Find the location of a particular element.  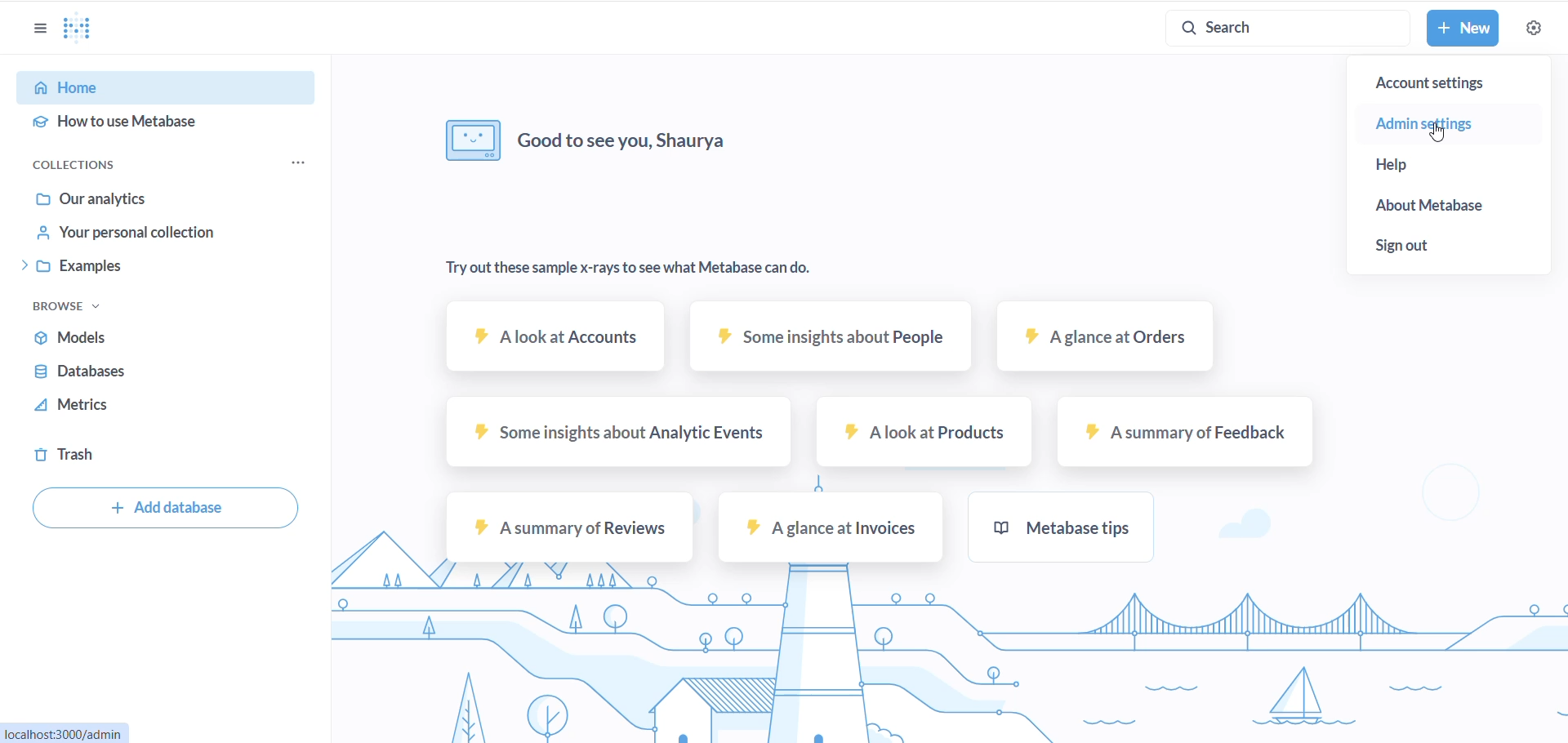

OPTIONS is located at coordinates (38, 31).